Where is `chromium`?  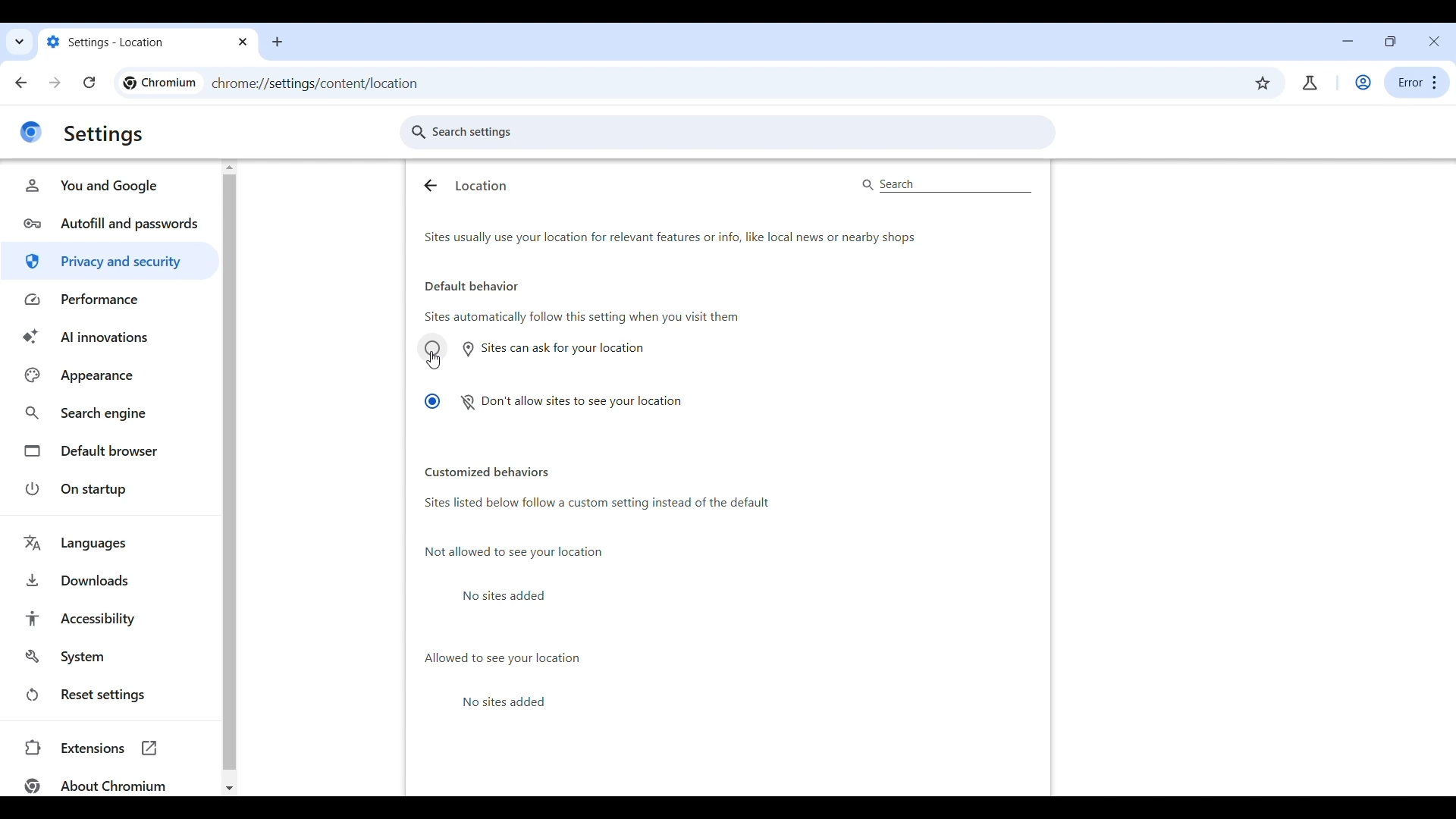
chromium is located at coordinates (158, 83).